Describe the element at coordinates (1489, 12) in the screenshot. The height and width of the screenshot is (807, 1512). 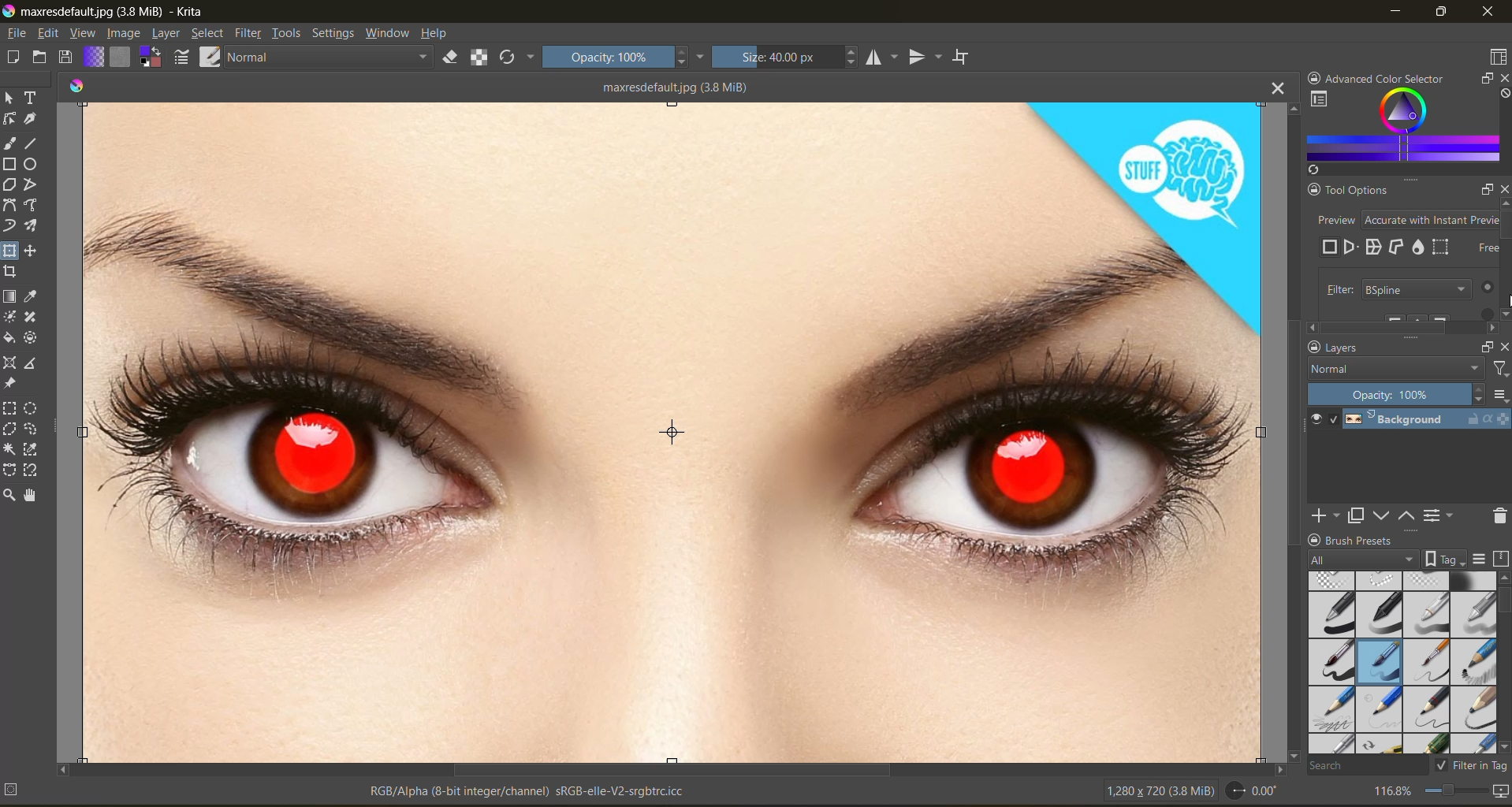
I see `close` at that location.